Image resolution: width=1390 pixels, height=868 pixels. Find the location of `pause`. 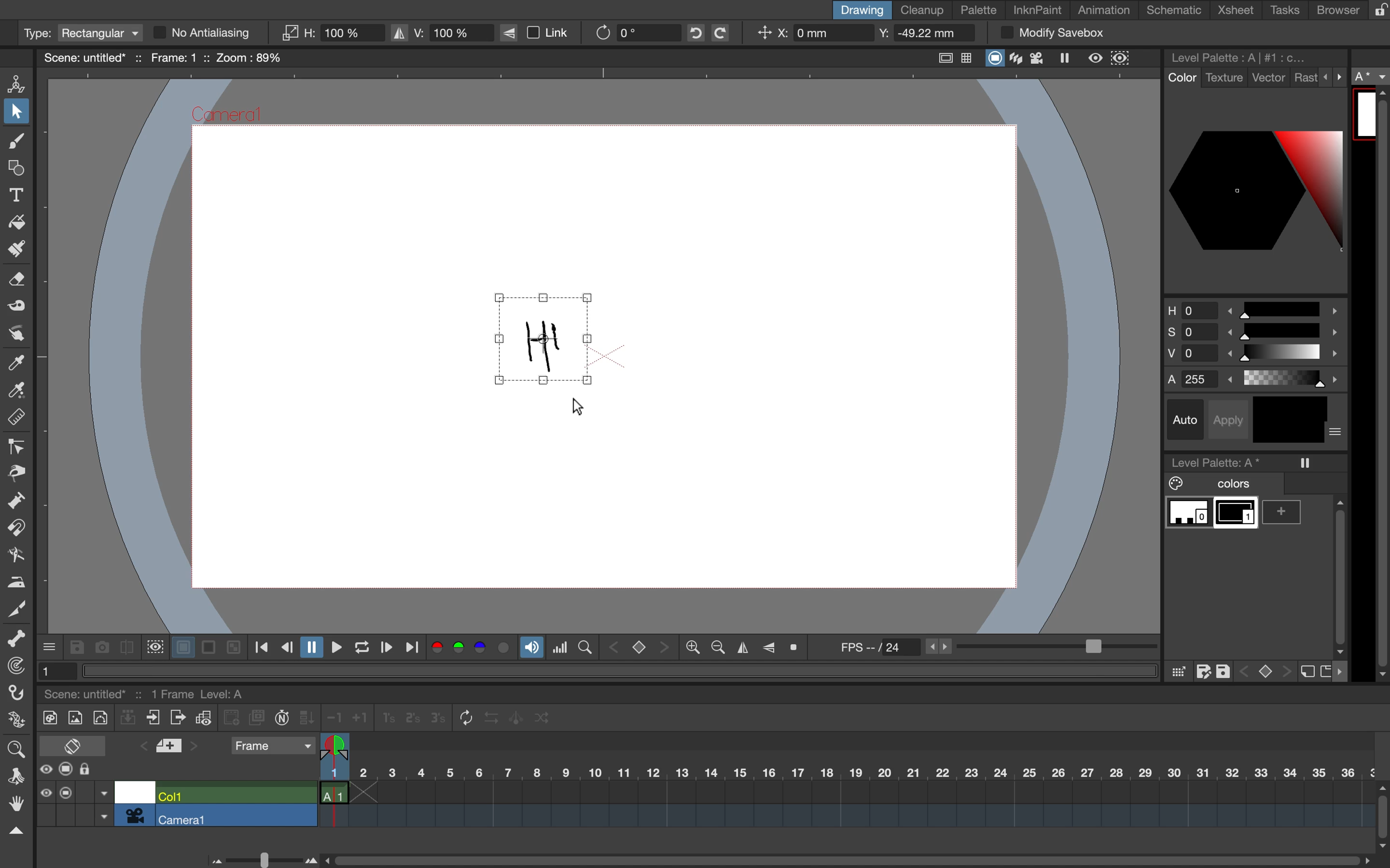

pause is located at coordinates (310, 648).